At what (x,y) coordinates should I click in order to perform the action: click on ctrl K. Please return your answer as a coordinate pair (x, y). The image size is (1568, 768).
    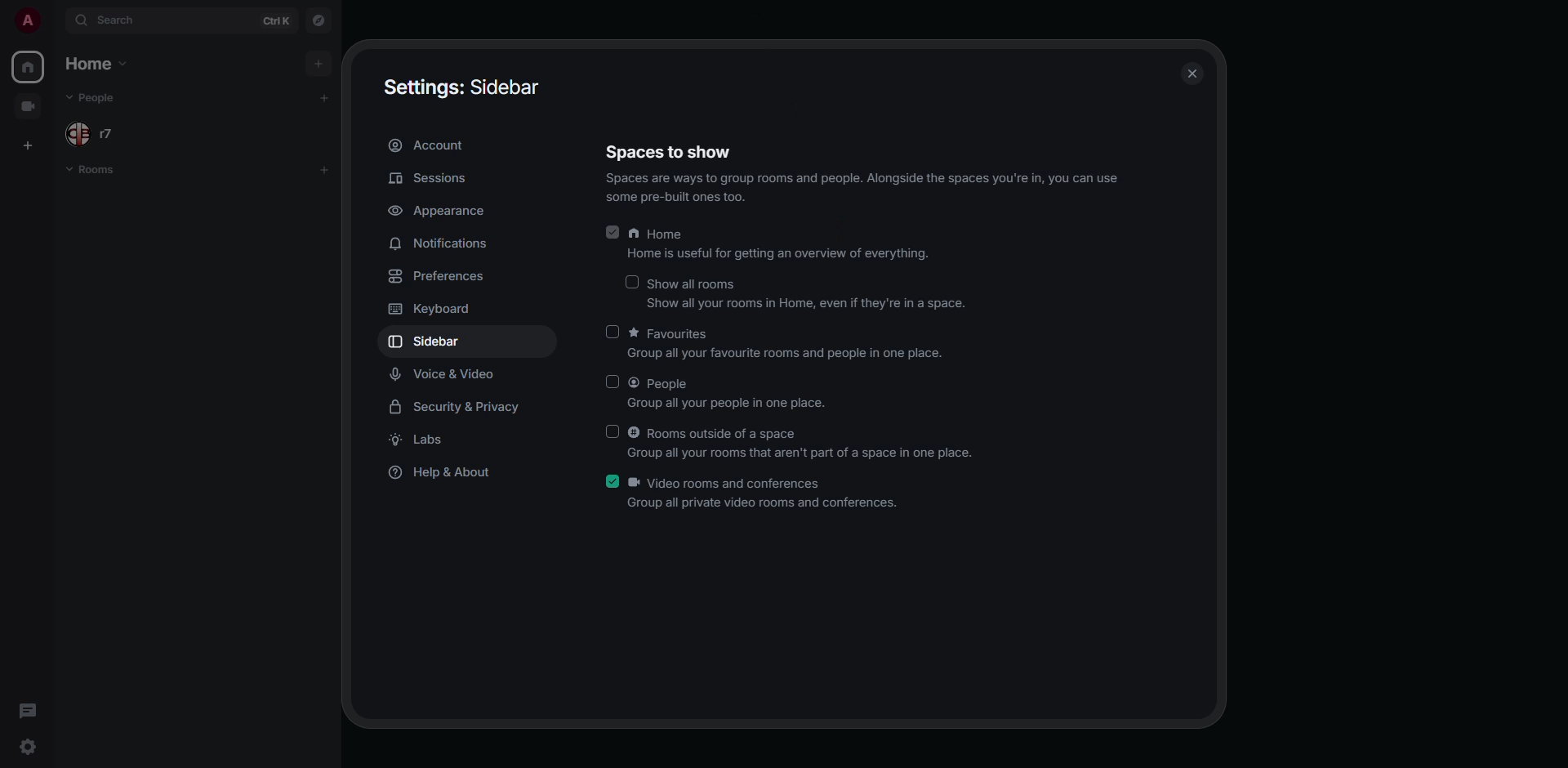
    Looking at the image, I should click on (276, 21).